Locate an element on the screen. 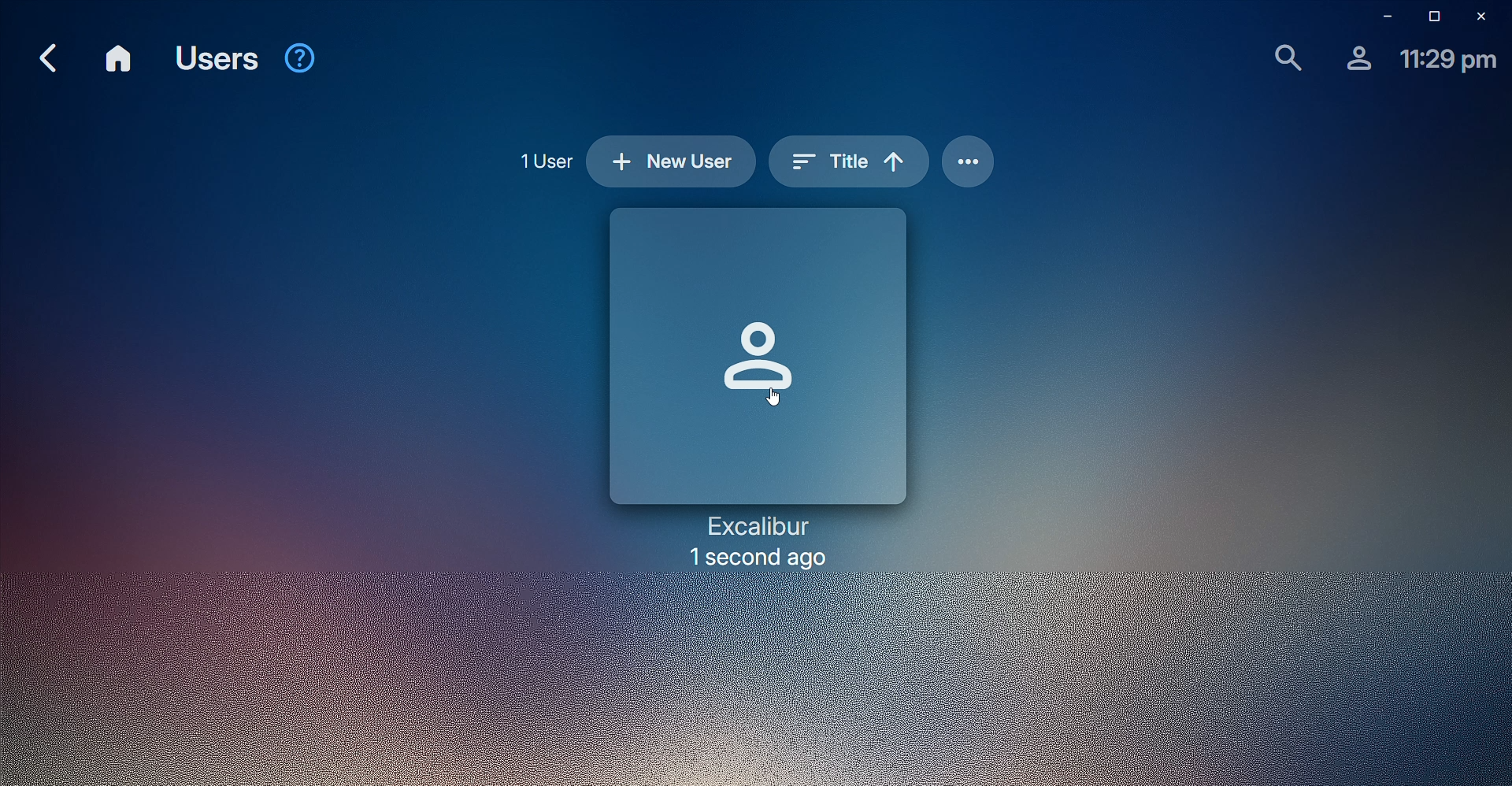 This screenshot has height=786, width=1512. Back is located at coordinates (48, 57).